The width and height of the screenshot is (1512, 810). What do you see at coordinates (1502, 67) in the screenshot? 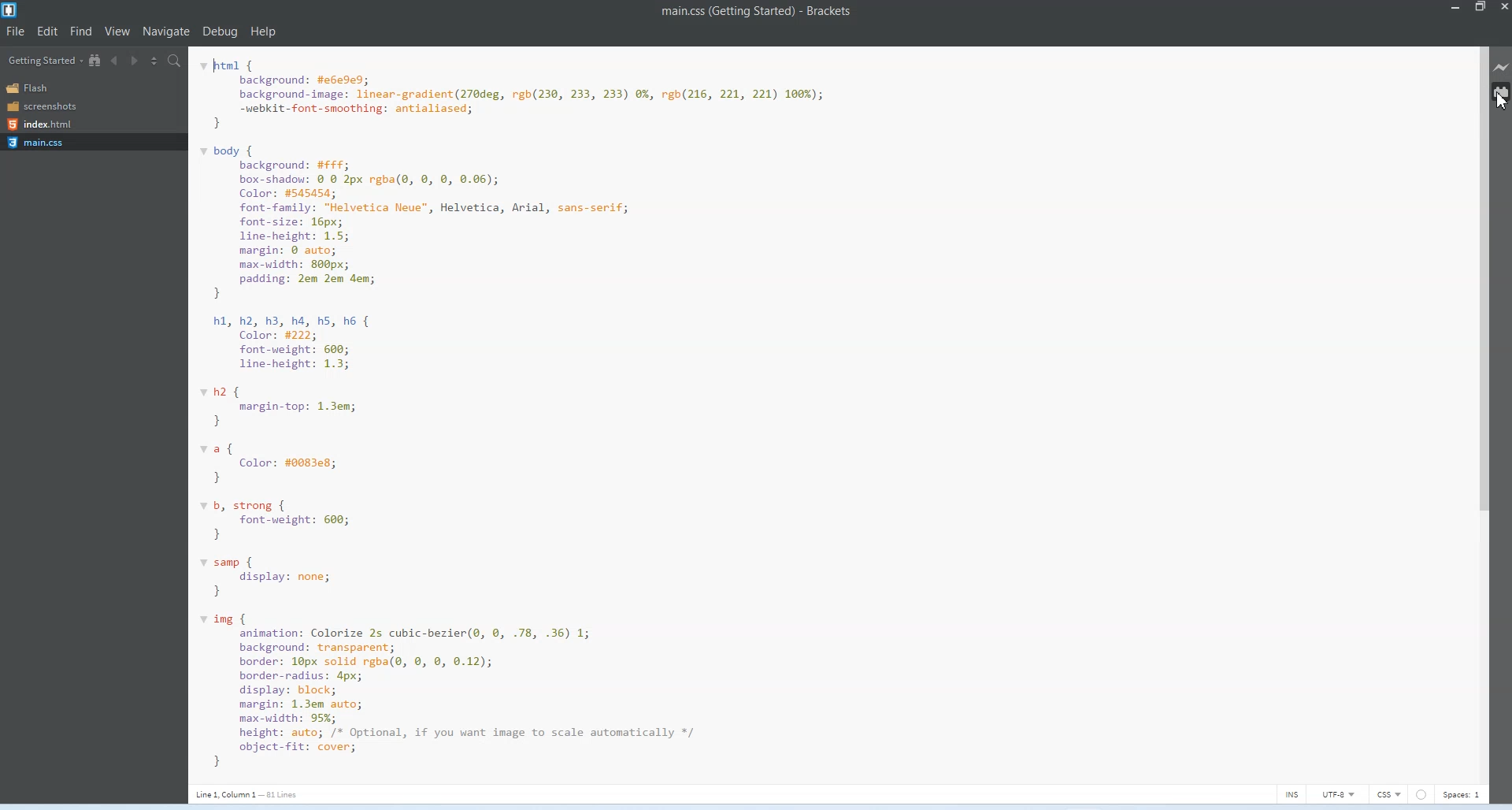
I see `Live Preview` at bounding box center [1502, 67].